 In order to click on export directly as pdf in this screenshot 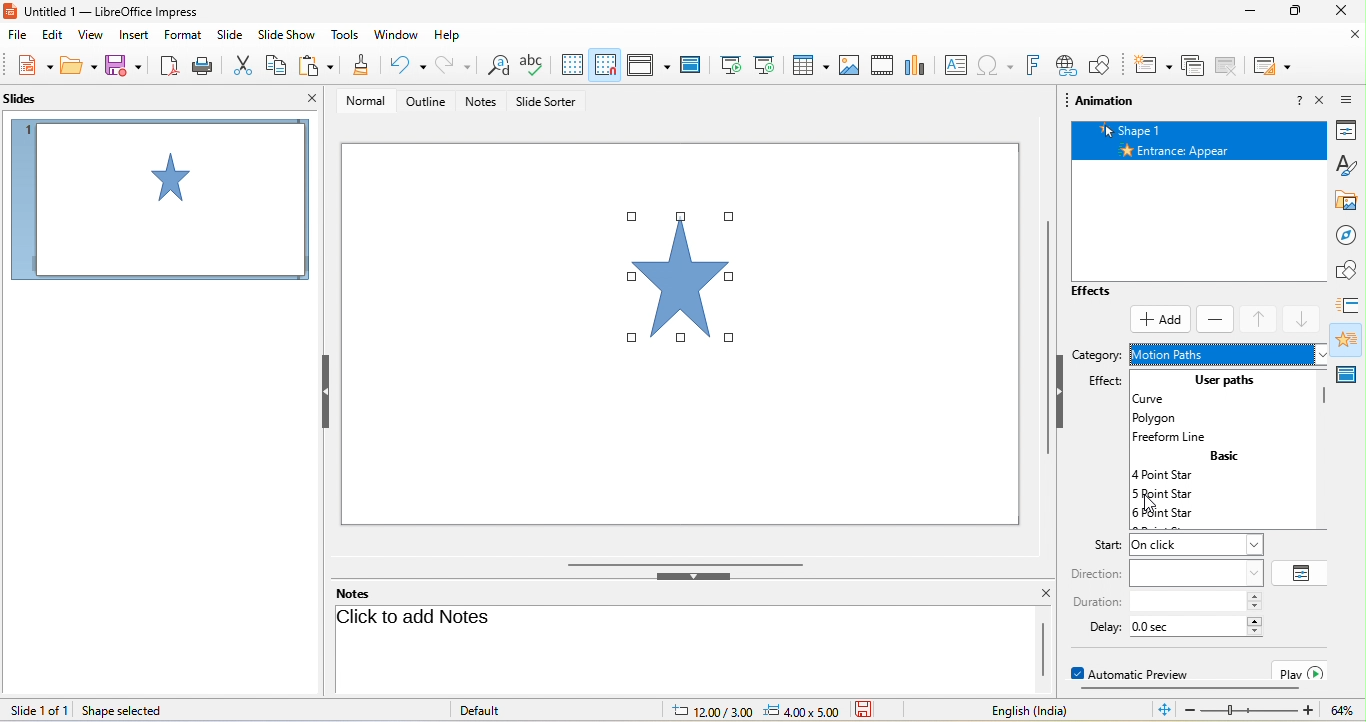, I will do `click(166, 67)`.